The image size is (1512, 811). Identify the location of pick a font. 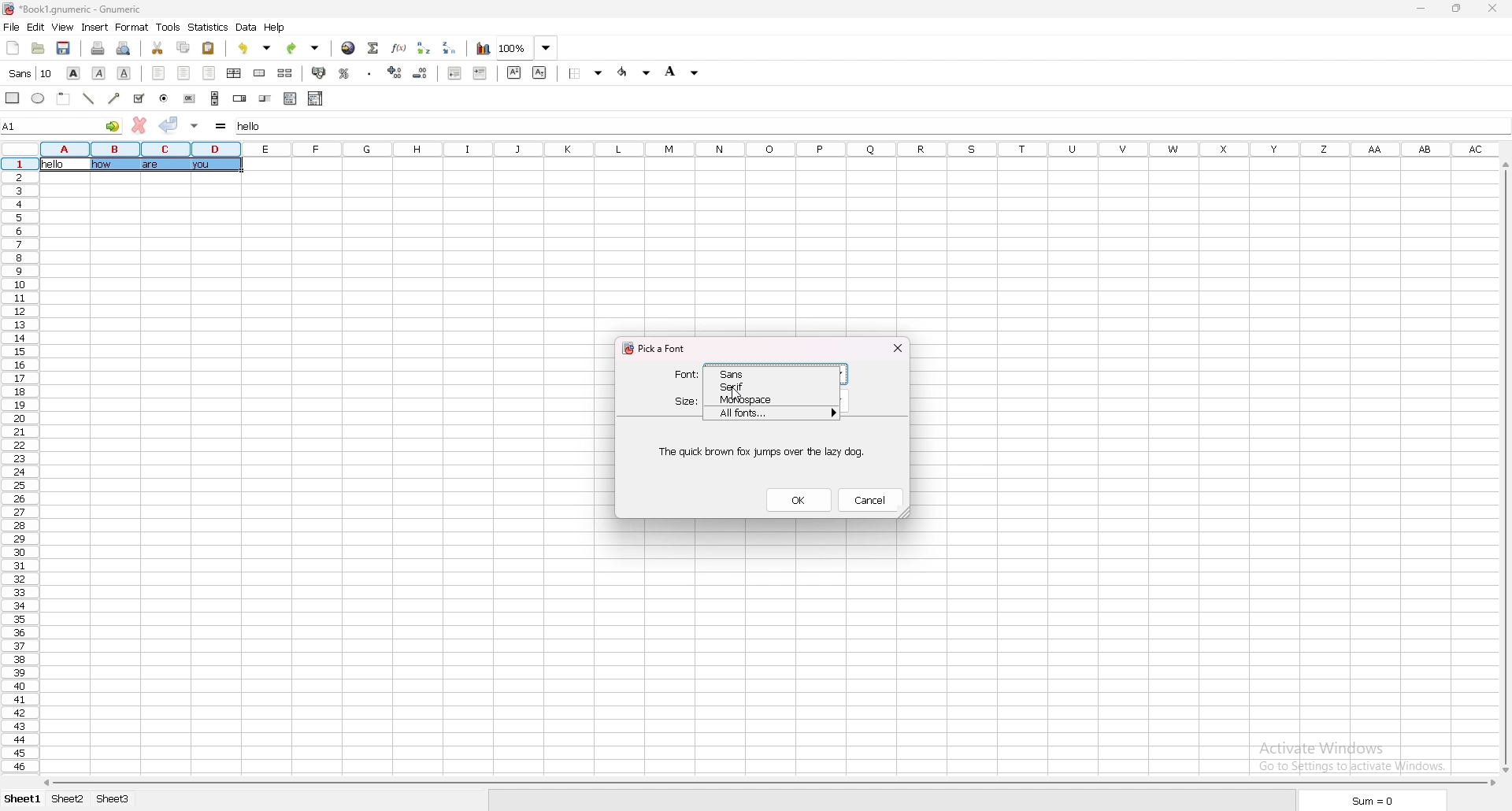
(659, 349).